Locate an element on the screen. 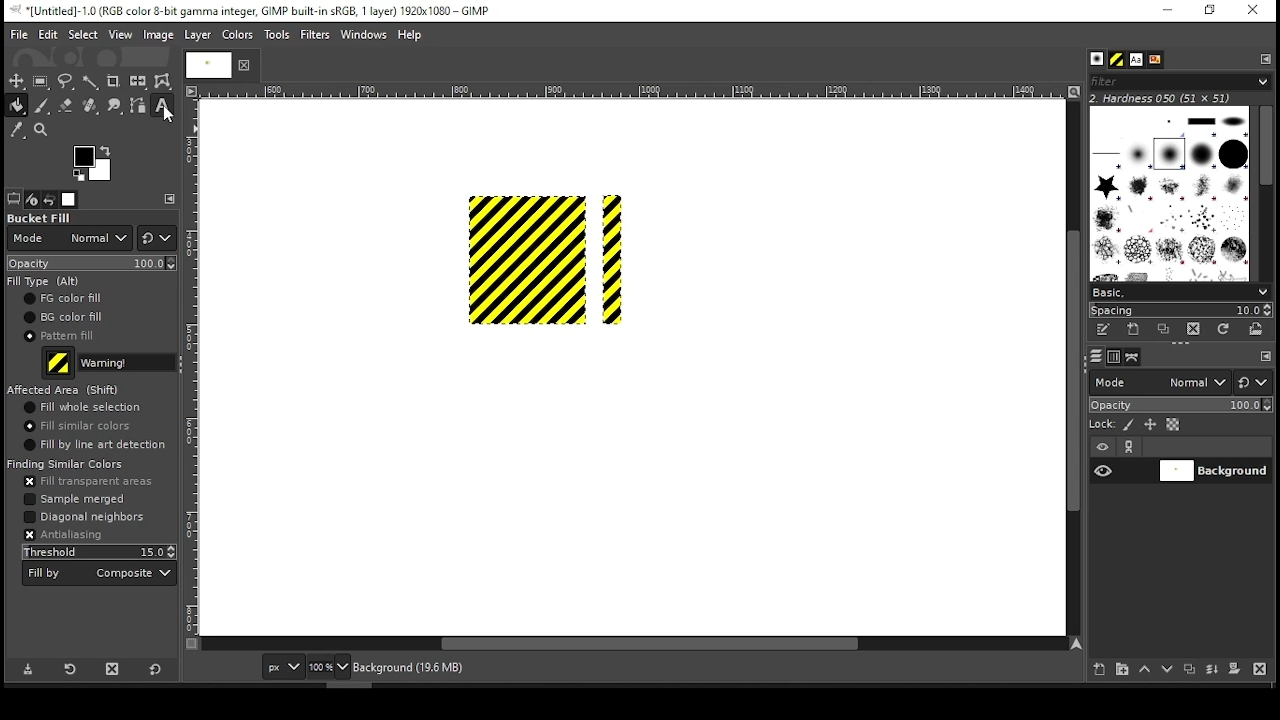  warp transform tool is located at coordinates (162, 82).